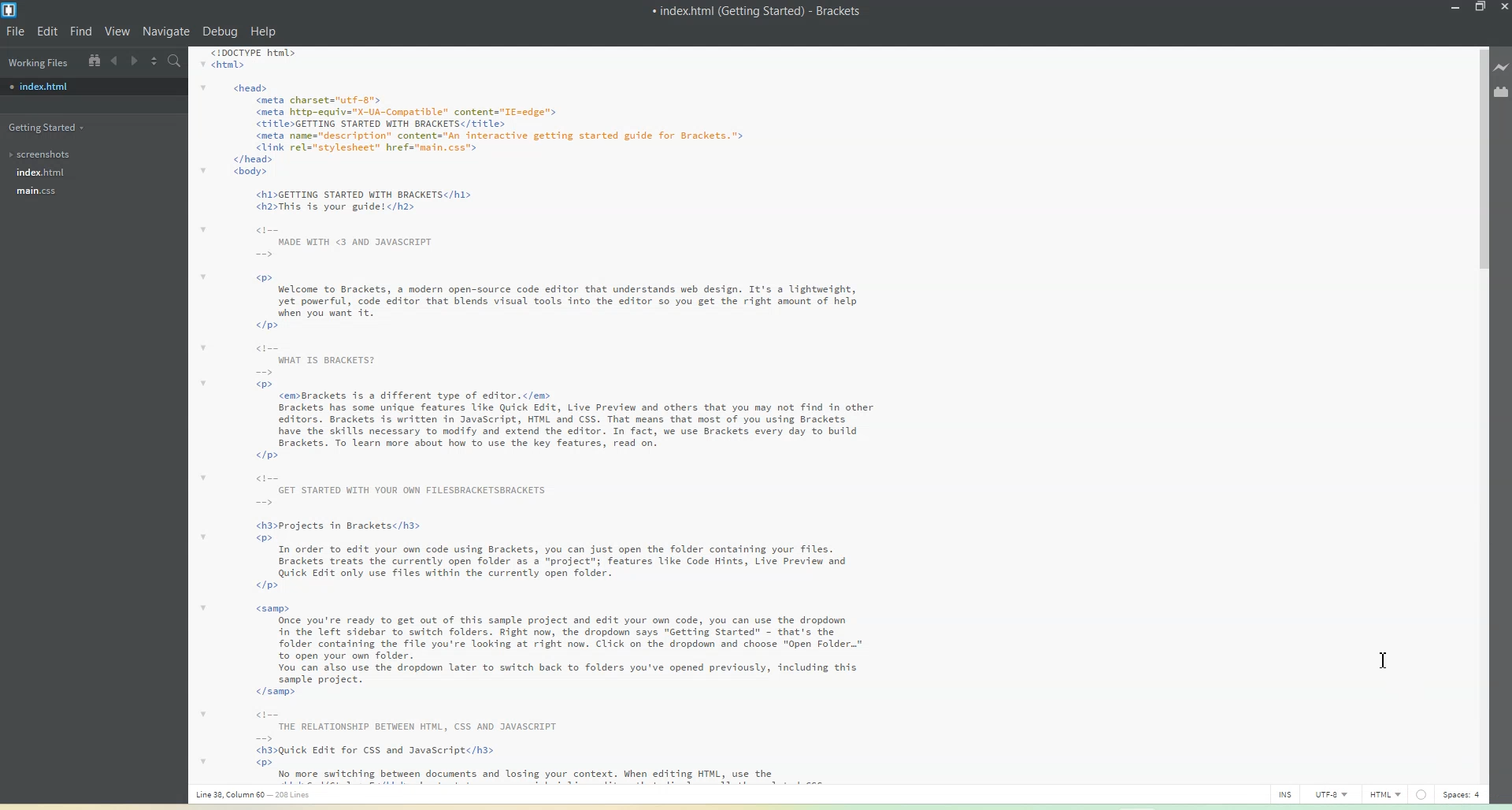 Image resolution: width=1512 pixels, height=810 pixels. What do you see at coordinates (166, 32) in the screenshot?
I see `Navigate` at bounding box center [166, 32].